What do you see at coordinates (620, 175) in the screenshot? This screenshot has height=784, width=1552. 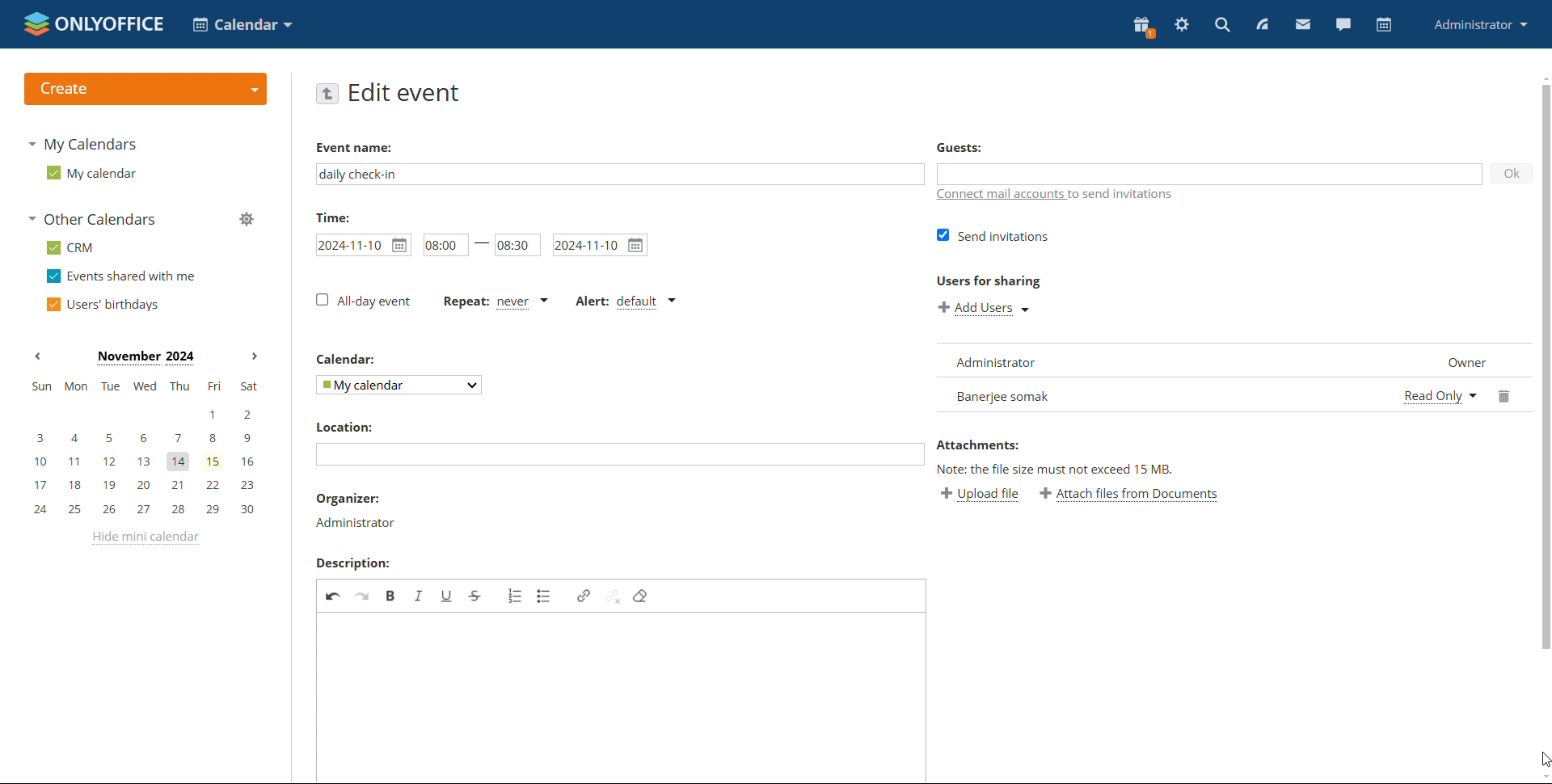 I see `add event name` at bounding box center [620, 175].